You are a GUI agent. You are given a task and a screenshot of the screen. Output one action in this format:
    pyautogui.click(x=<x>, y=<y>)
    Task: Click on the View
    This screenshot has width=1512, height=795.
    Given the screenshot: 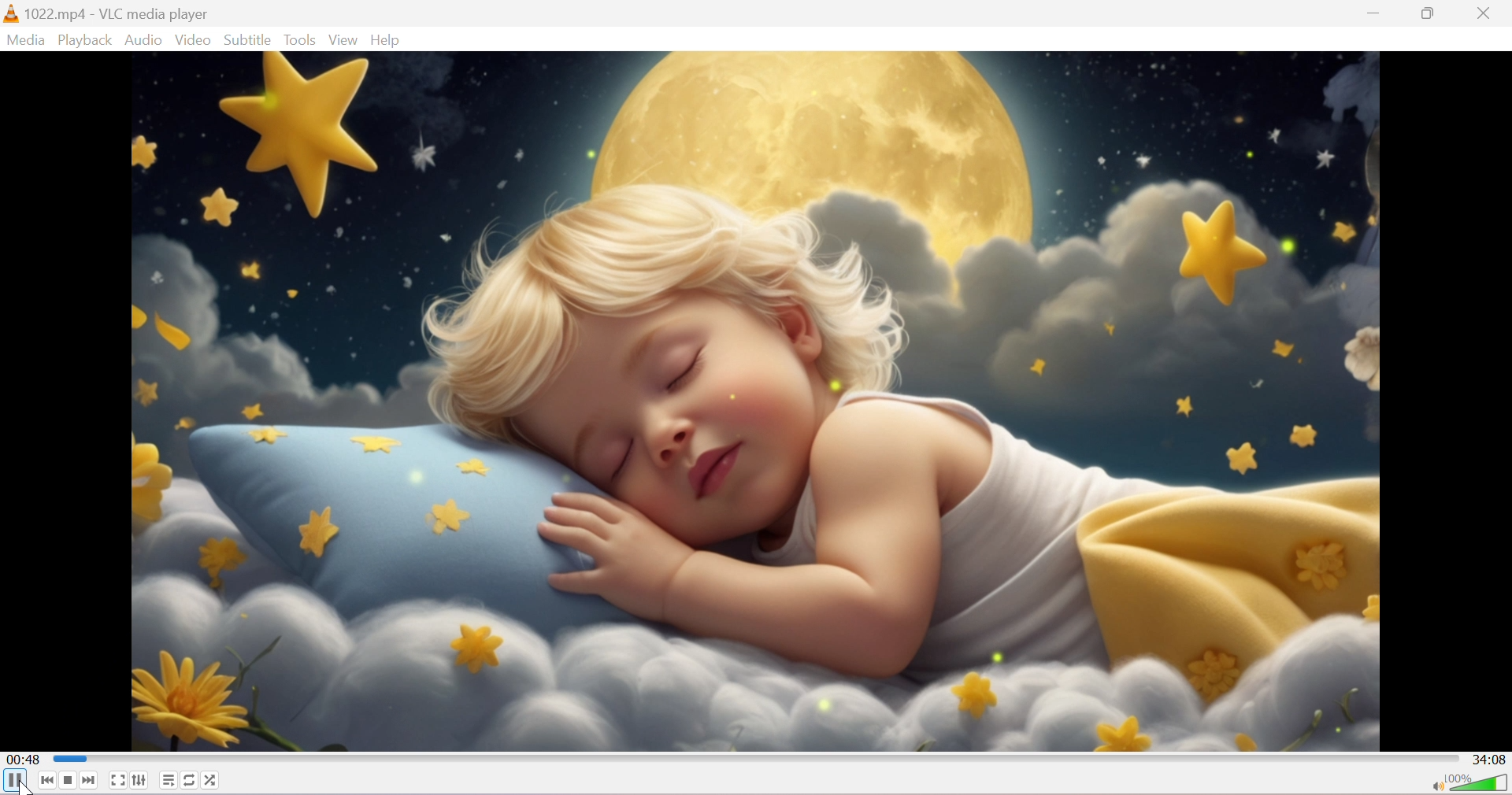 What is the action you would take?
    pyautogui.click(x=343, y=40)
    